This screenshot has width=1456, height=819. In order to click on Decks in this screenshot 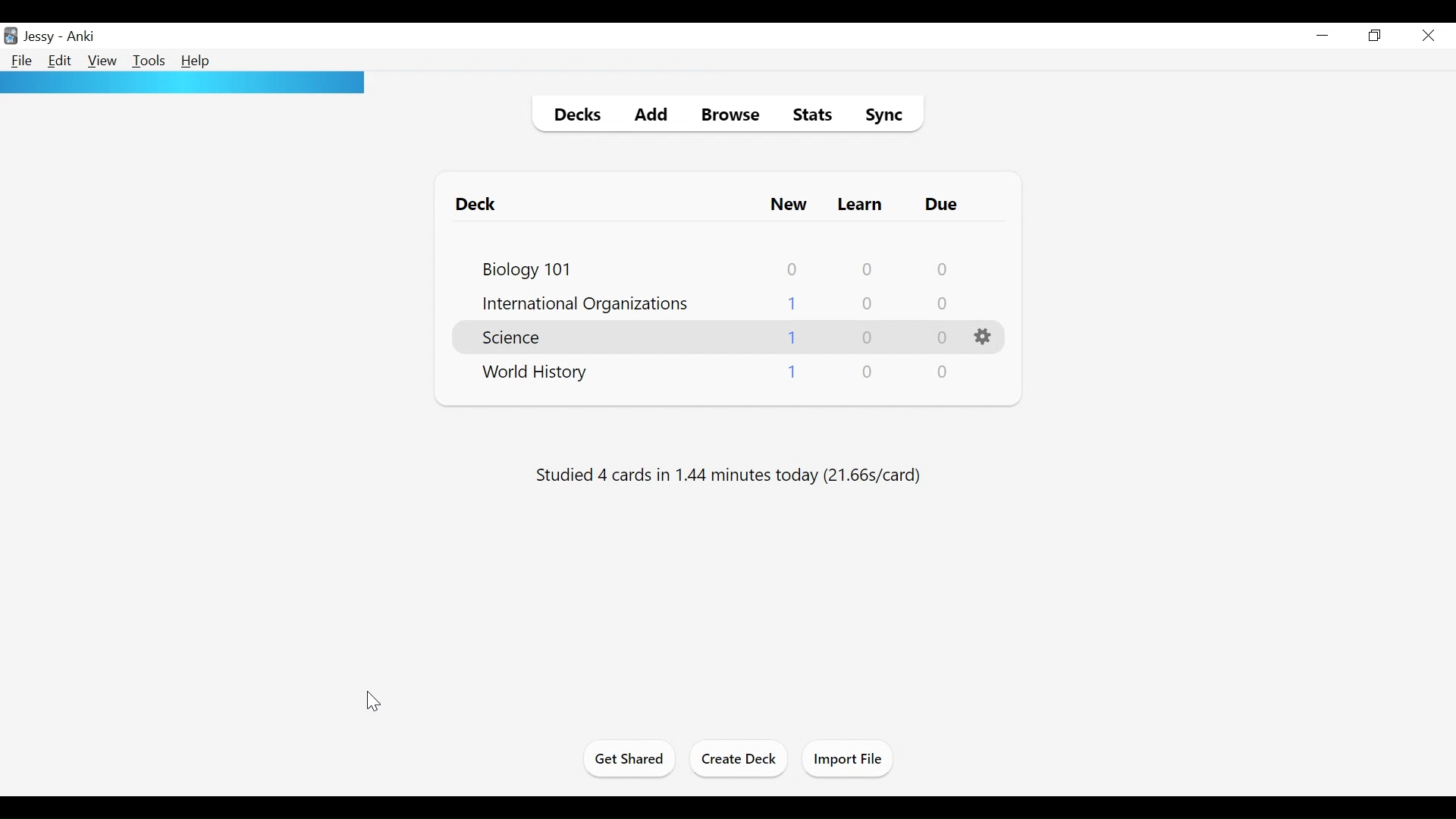, I will do `click(575, 111)`.